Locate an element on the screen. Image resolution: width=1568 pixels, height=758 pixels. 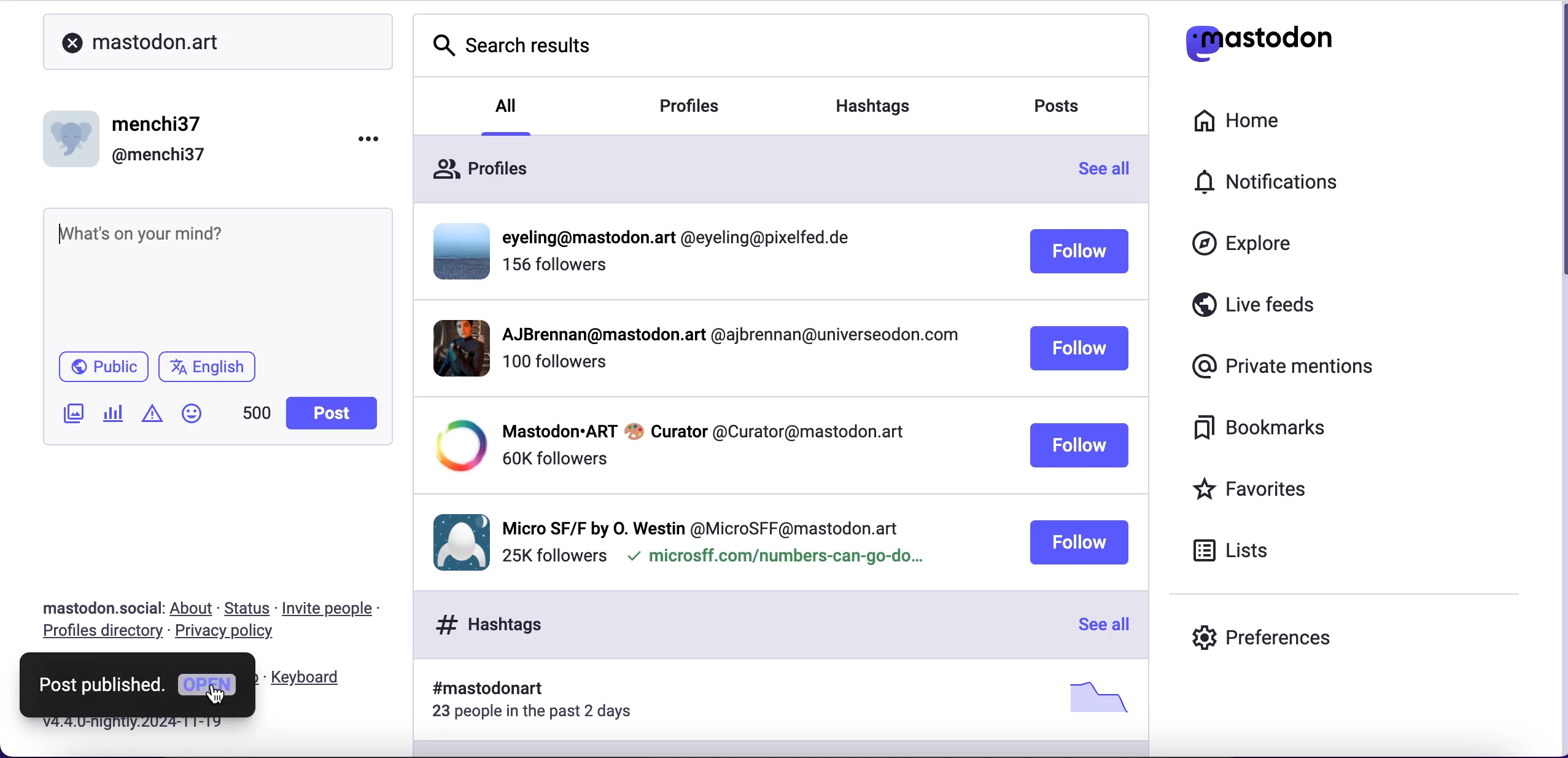
user profile is located at coordinates (718, 536).